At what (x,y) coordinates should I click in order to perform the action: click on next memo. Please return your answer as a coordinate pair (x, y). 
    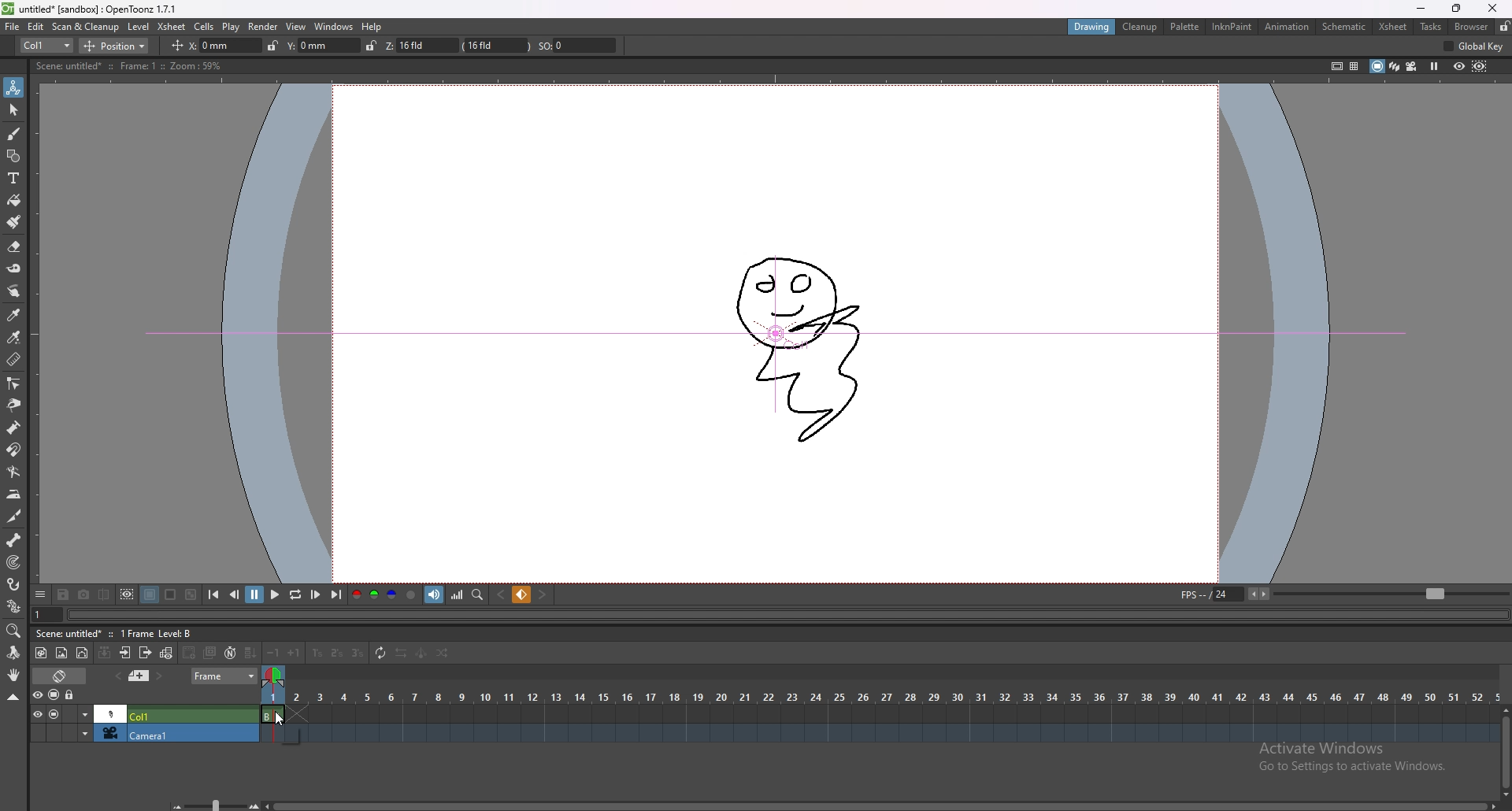
    Looking at the image, I should click on (159, 676).